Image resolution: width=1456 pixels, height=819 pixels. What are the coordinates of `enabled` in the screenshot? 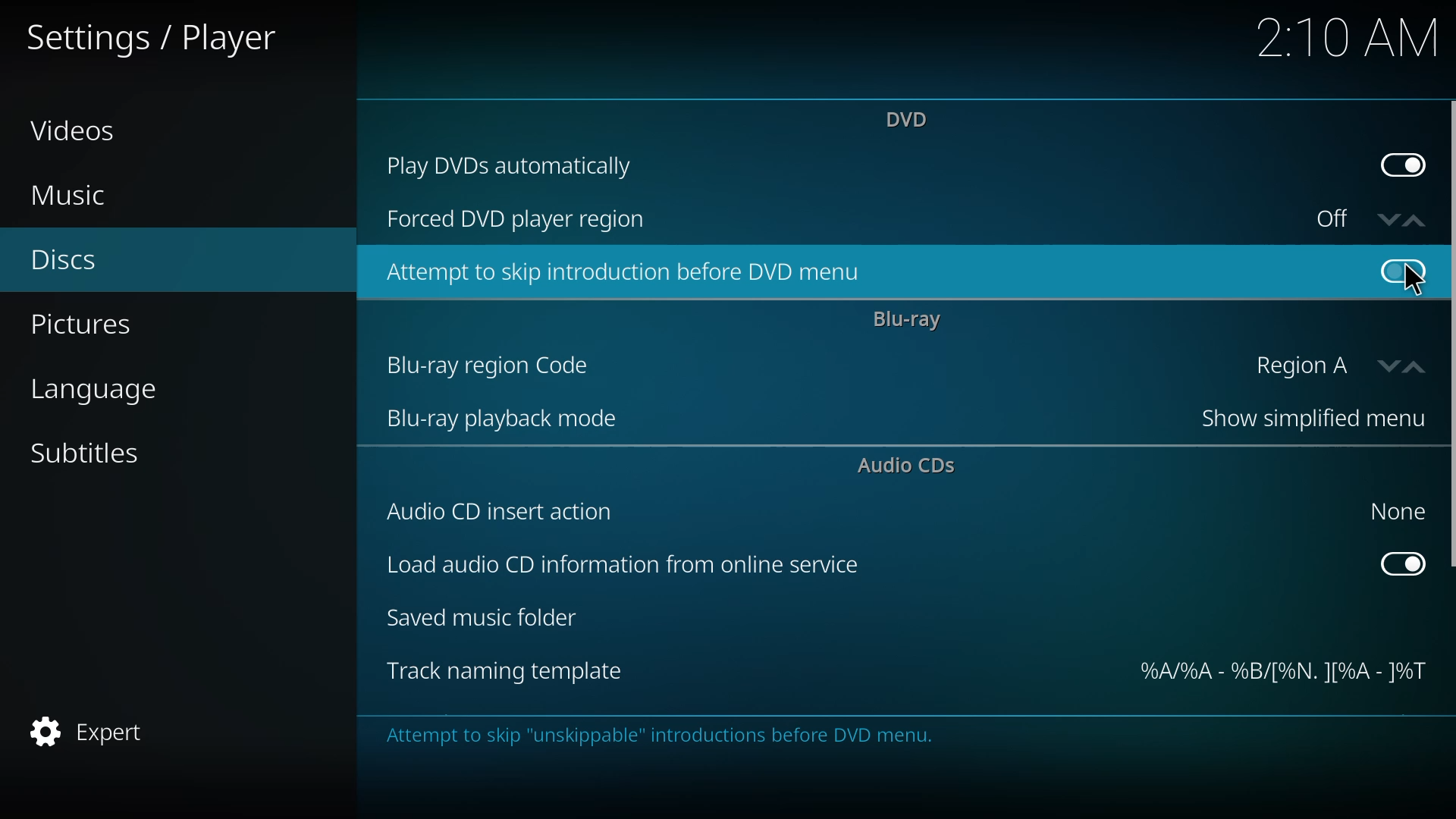 It's located at (1397, 166).